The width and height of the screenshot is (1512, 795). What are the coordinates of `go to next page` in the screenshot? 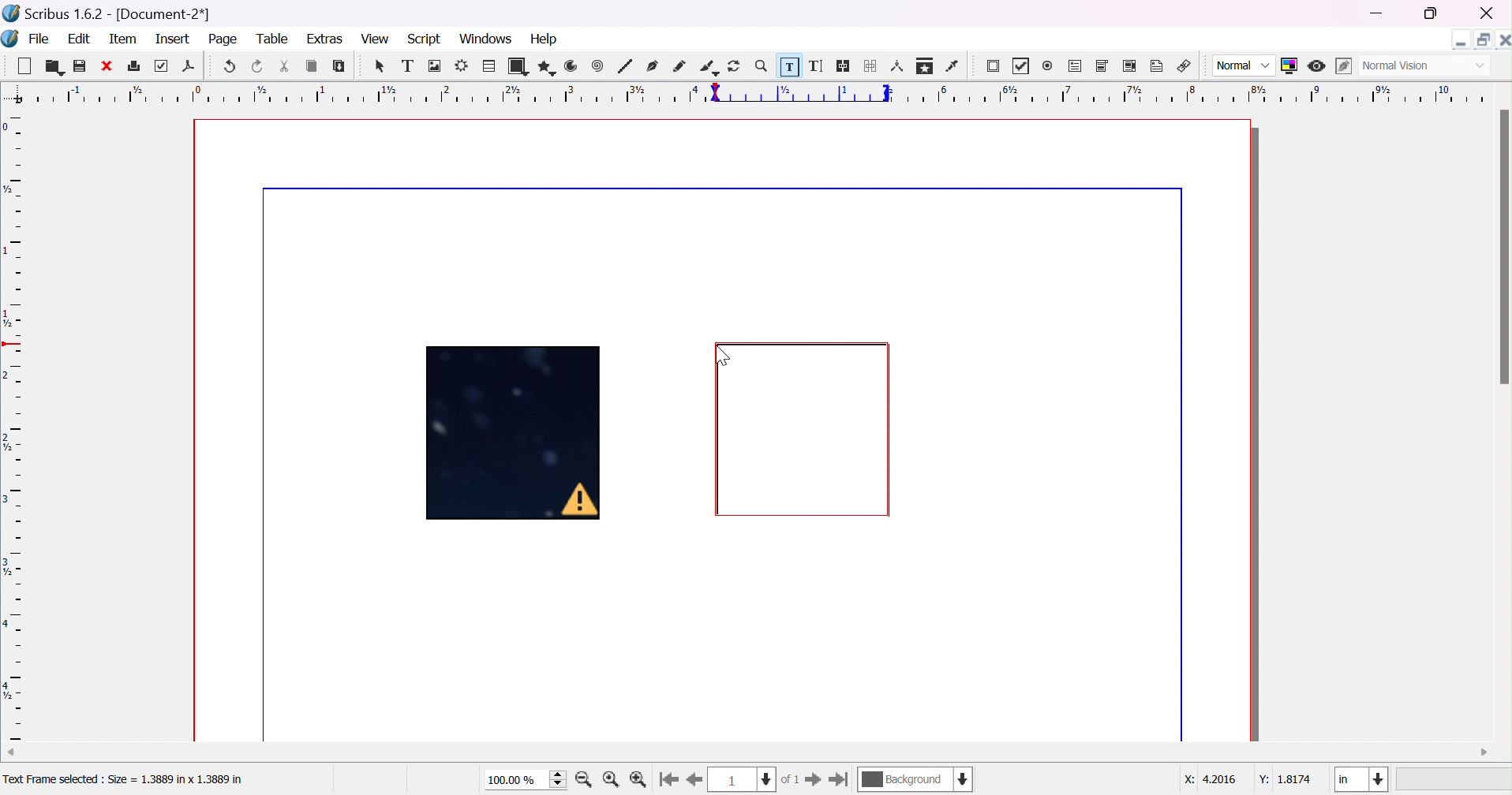 It's located at (812, 779).